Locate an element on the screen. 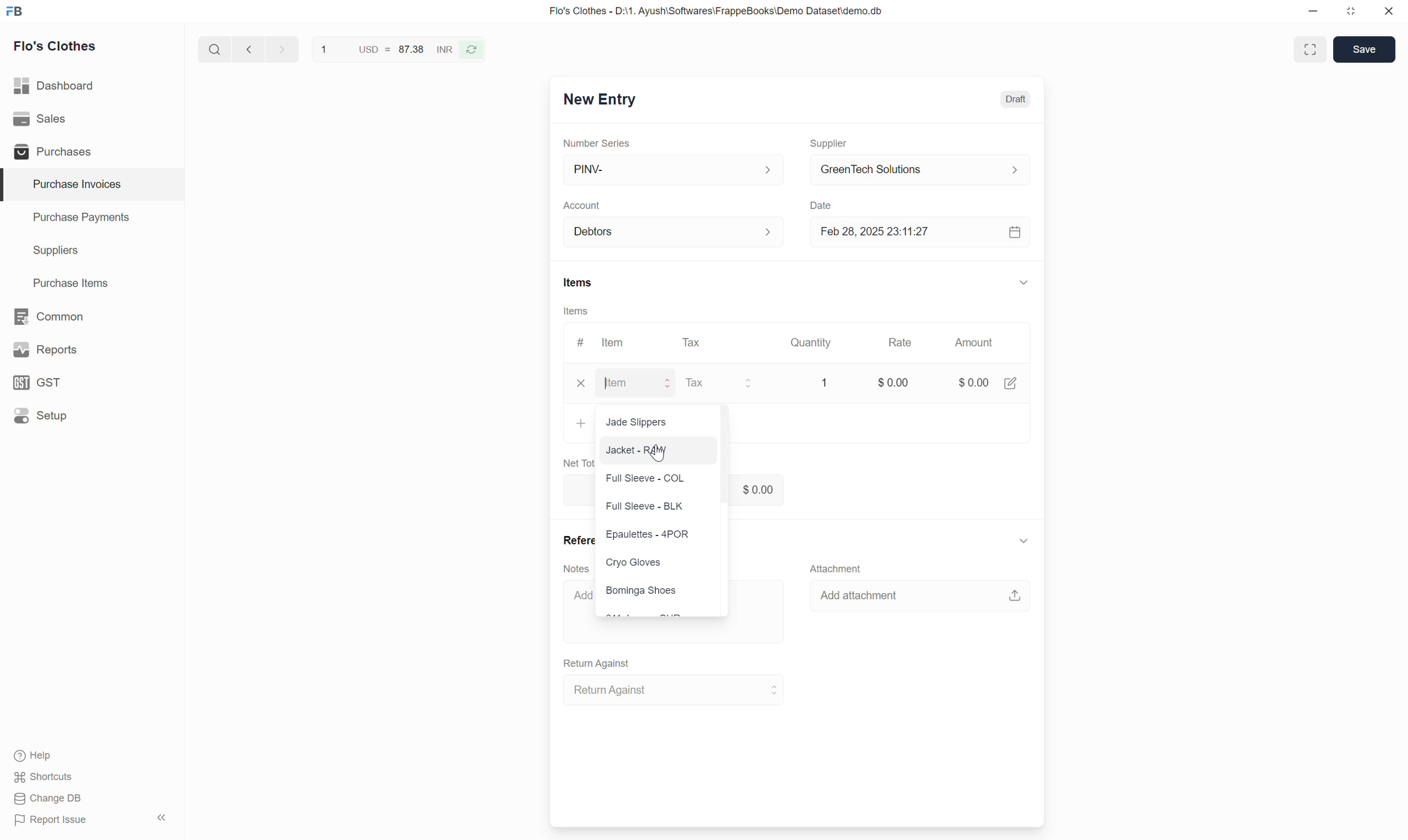 The height and width of the screenshot is (840, 1408). Full Sleeve - COL is located at coordinates (658, 478).